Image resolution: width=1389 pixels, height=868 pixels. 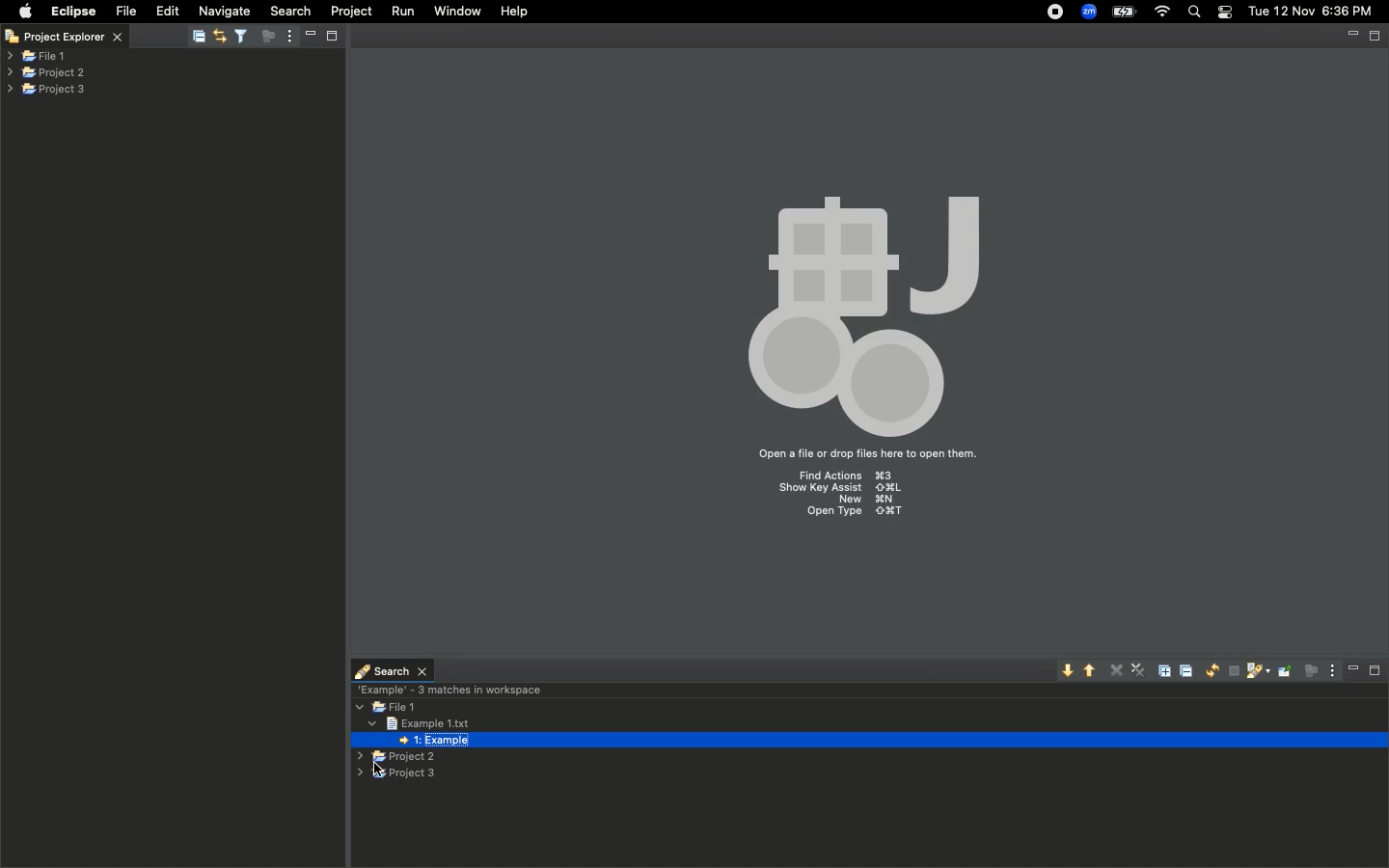 I want to click on Edit, so click(x=168, y=12).